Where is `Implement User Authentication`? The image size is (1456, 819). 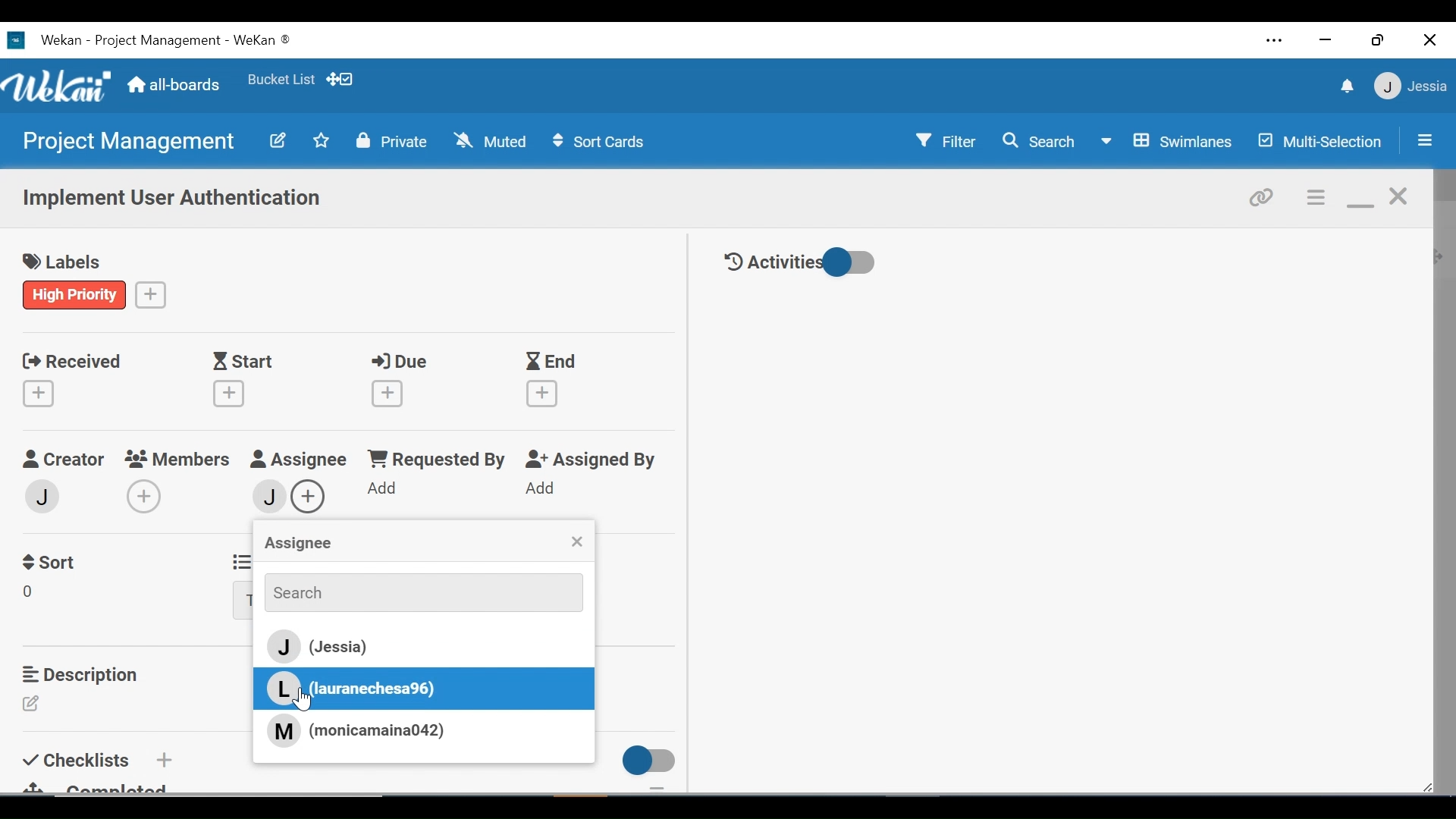 Implement User Authentication is located at coordinates (174, 199).